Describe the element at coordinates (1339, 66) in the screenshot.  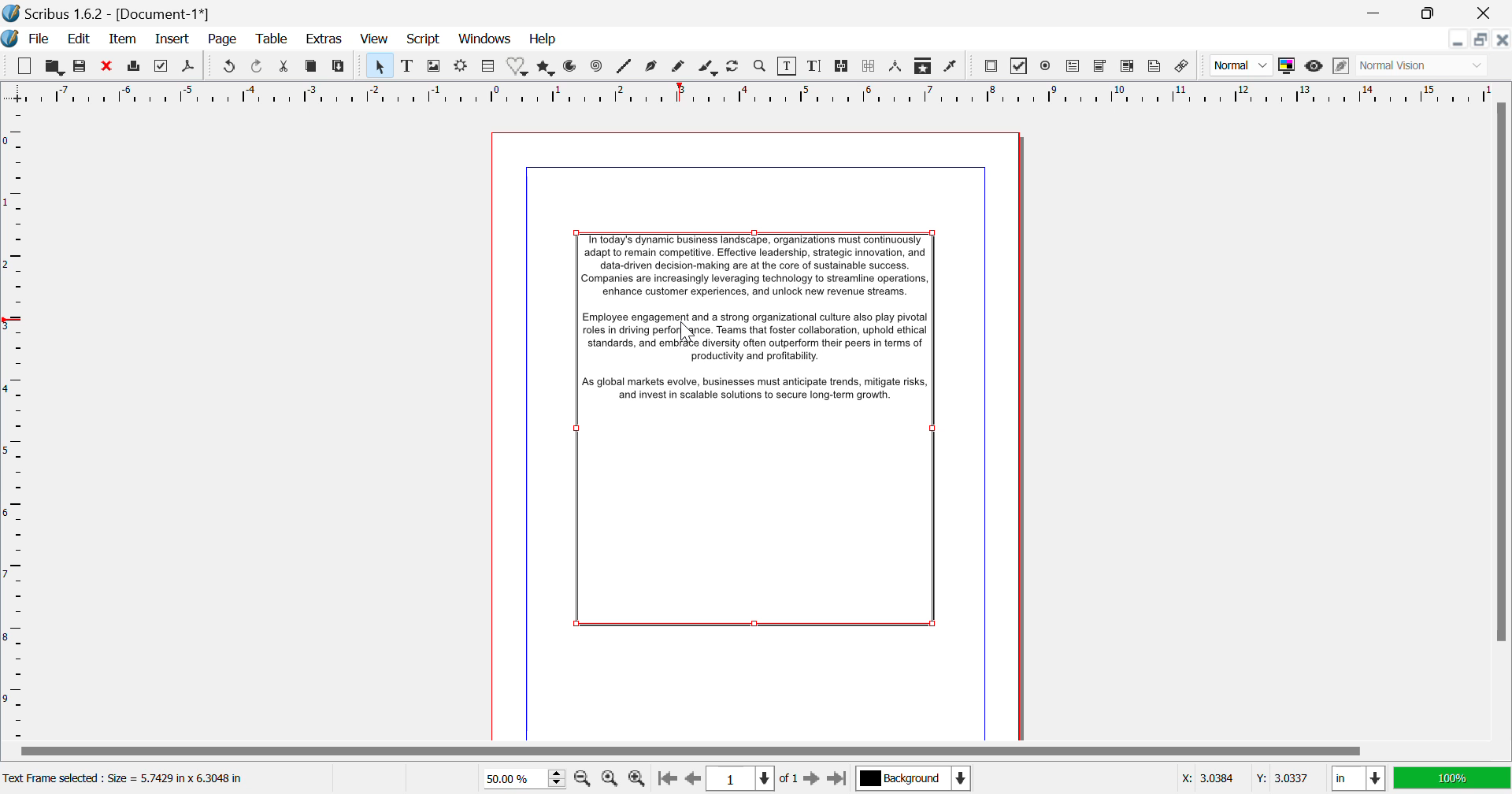
I see `Edit in preview mode` at that location.